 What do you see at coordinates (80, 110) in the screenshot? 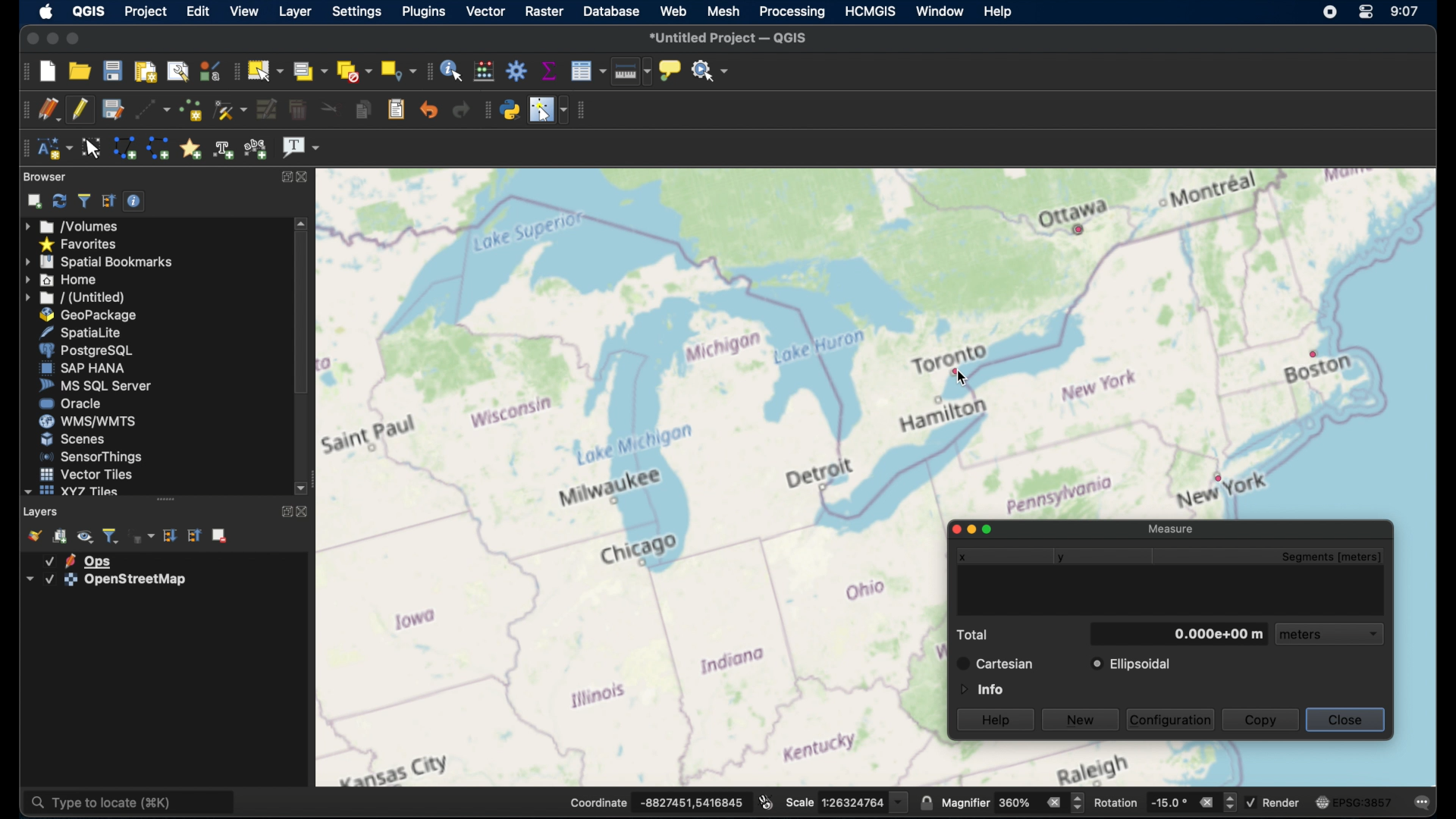
I see `toggle editing` at bounding box center [80, 110].